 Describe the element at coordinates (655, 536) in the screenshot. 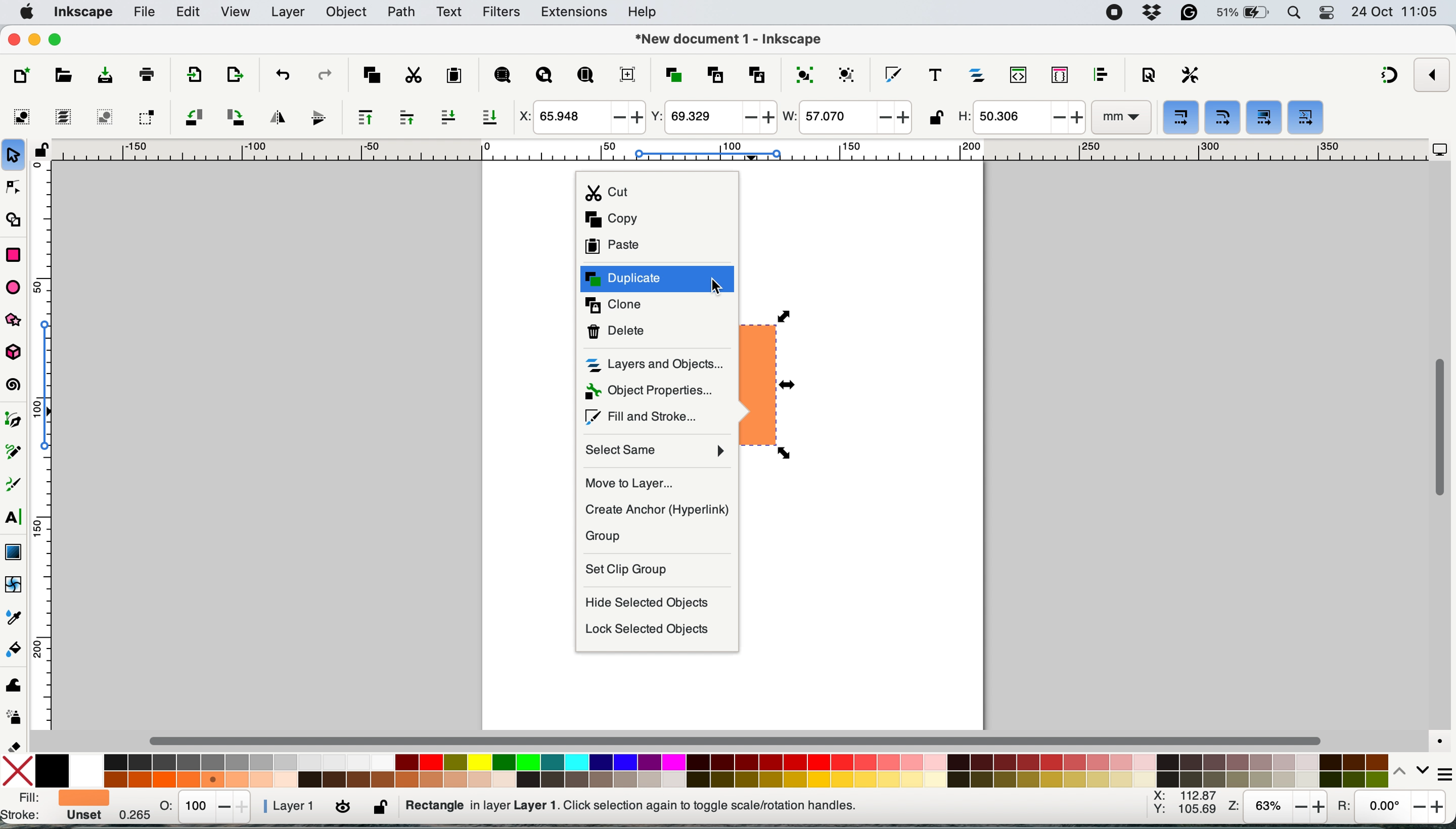

I see `group` at that location.